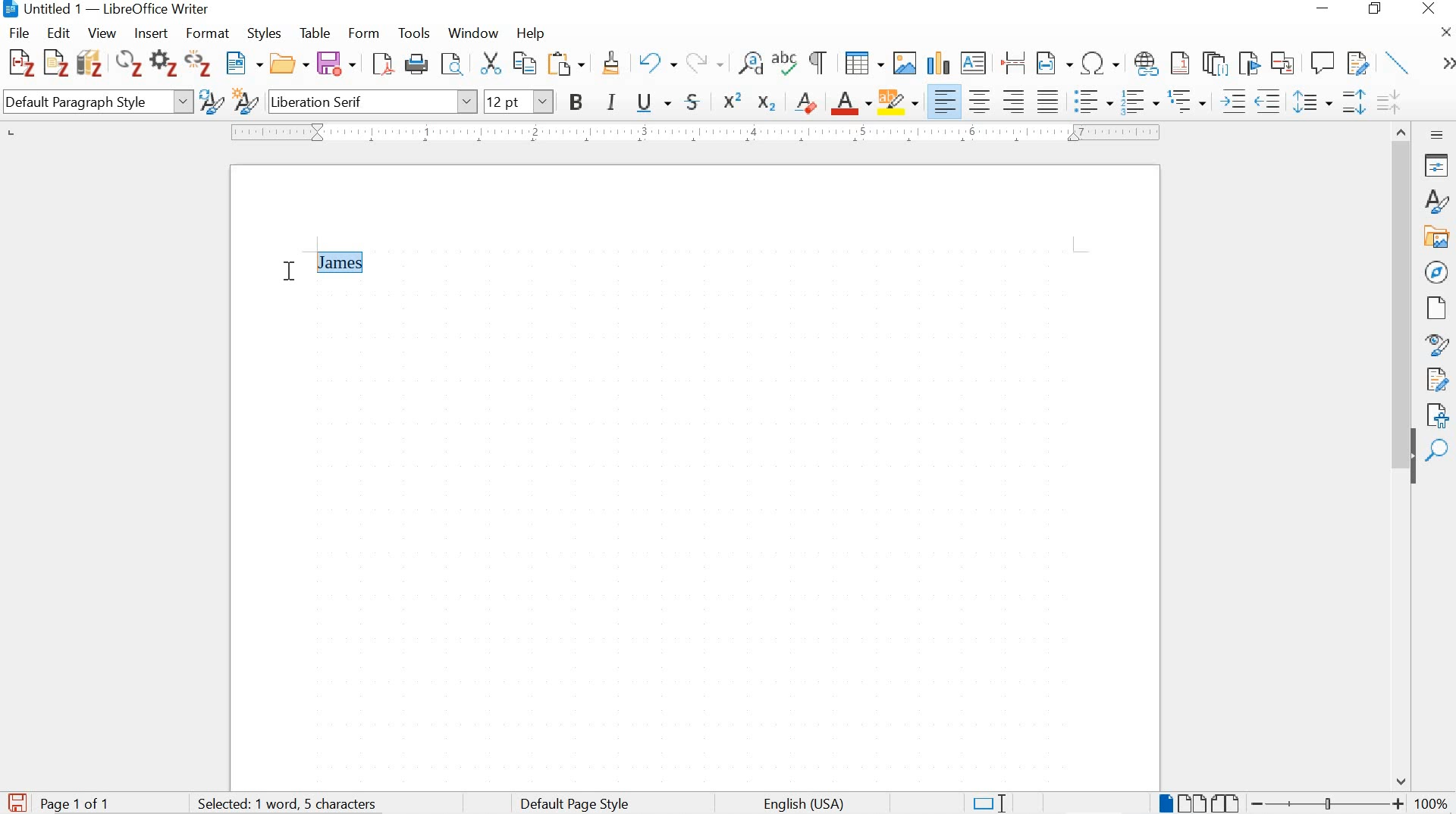  What do you see at coordinates (578, 803) in the screenshot?
I see `default page style` at bounding box center [578, 803].